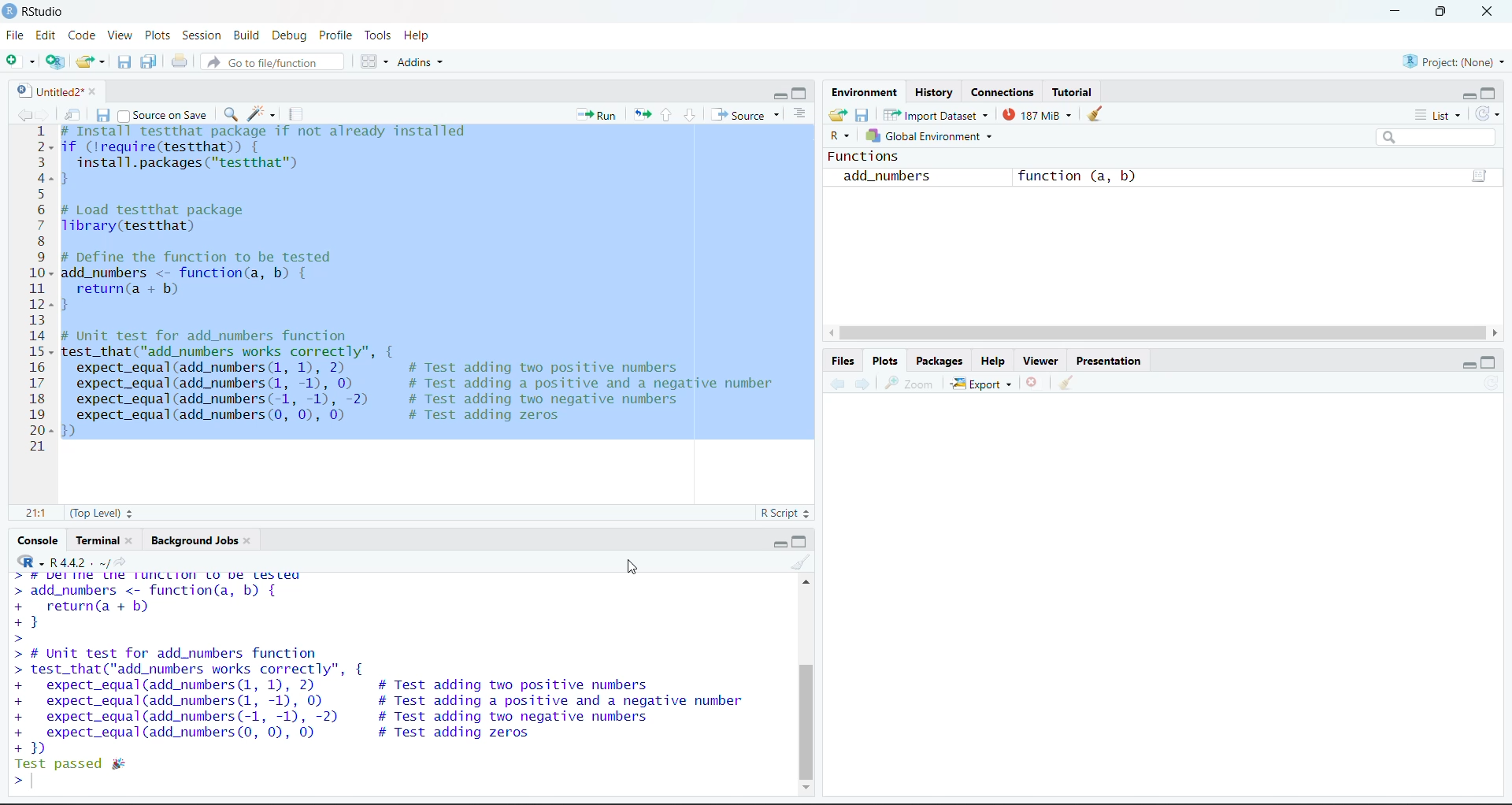 The image size is (1512, 805). What do you see at coordinates (105, 116) in the screenshot?
I see `save current document` at bounding box center [105, 116].